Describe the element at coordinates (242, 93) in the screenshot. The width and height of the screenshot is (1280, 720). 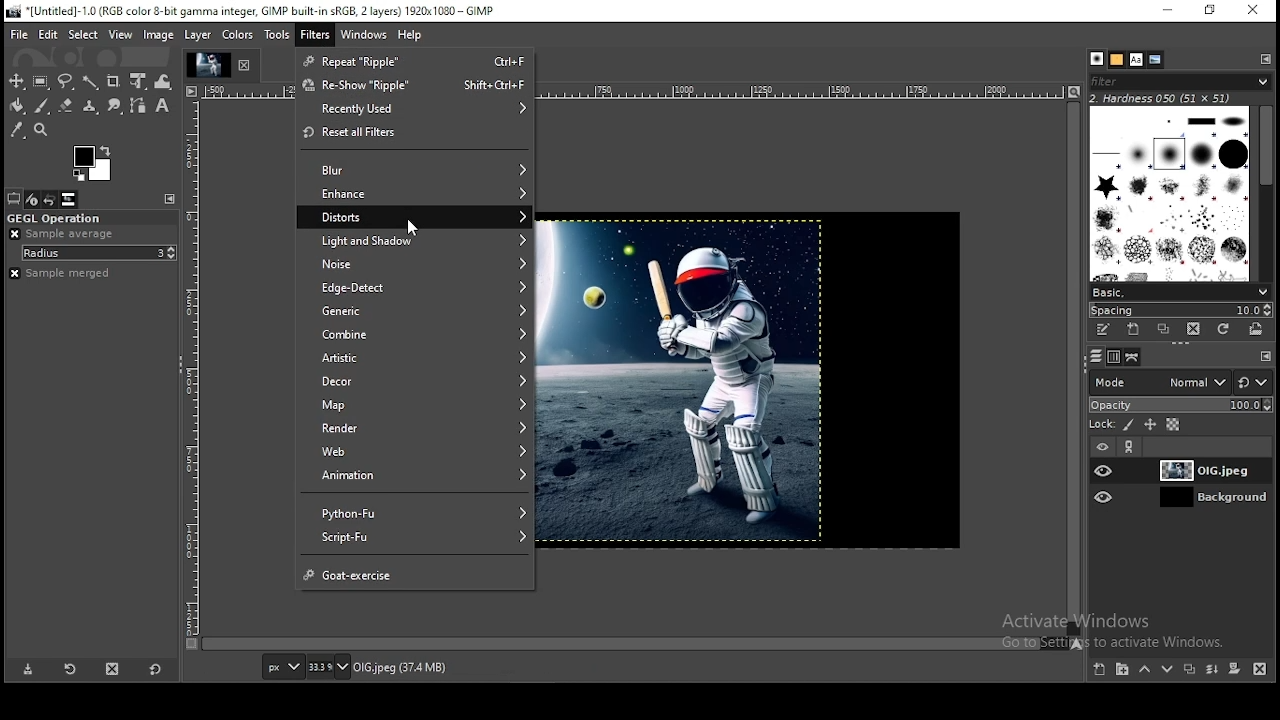
I see `measuring line` at that location.